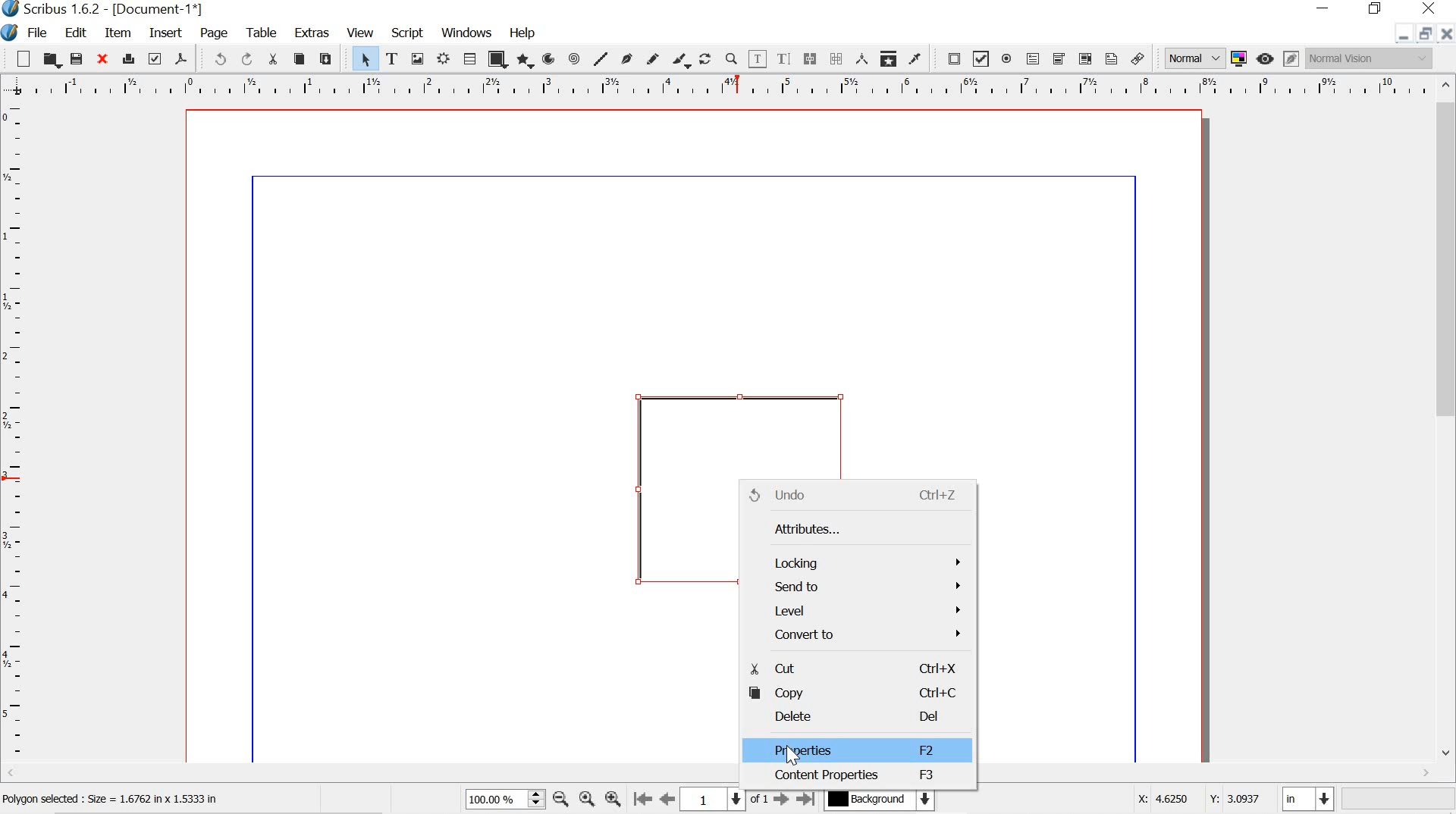  What do you see at coordinates (856, 559) in the screenshot?
I see `Locking` at bounding box center [856, 559].